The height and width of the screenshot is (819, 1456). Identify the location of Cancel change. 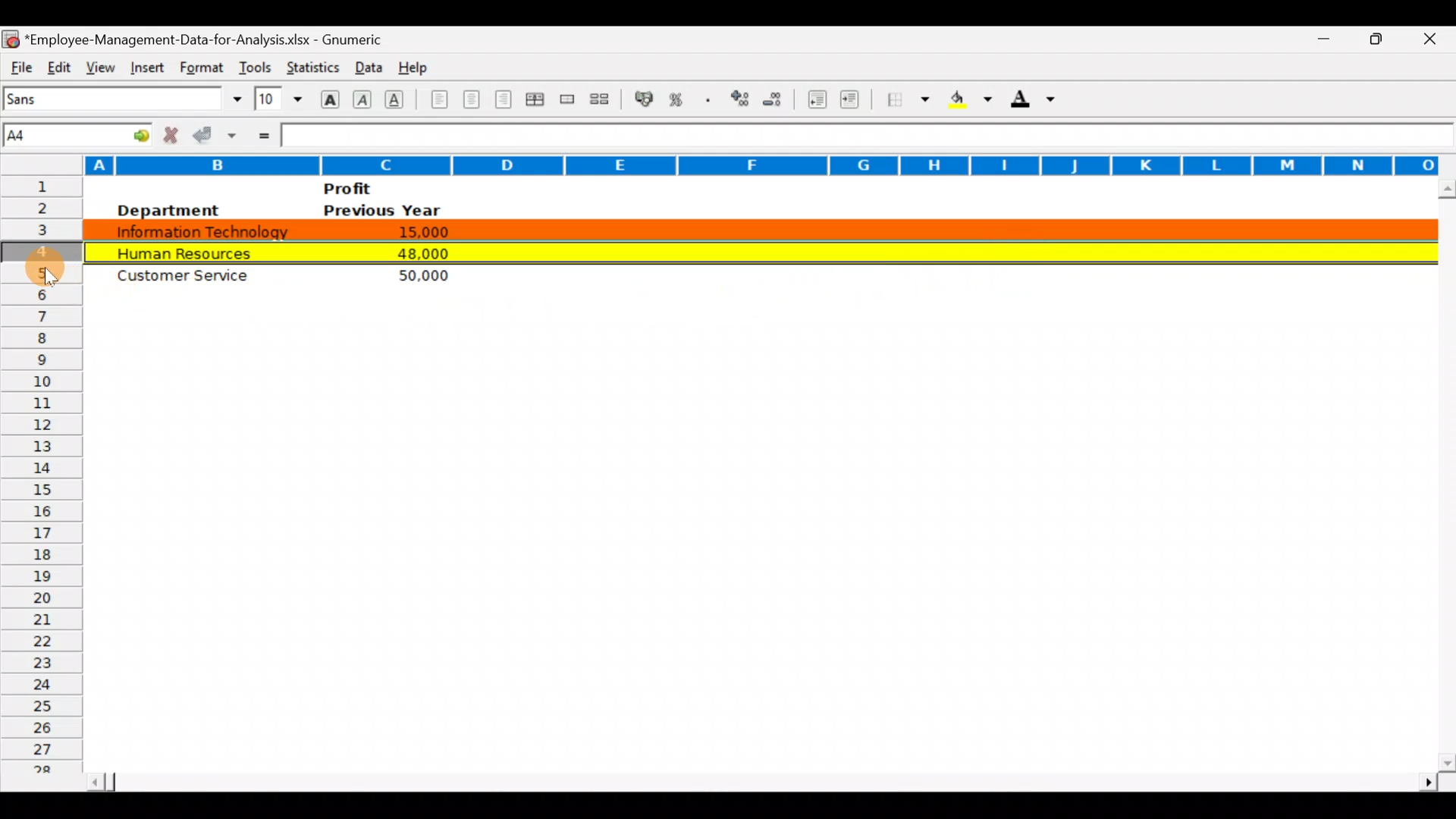
(174, 134).